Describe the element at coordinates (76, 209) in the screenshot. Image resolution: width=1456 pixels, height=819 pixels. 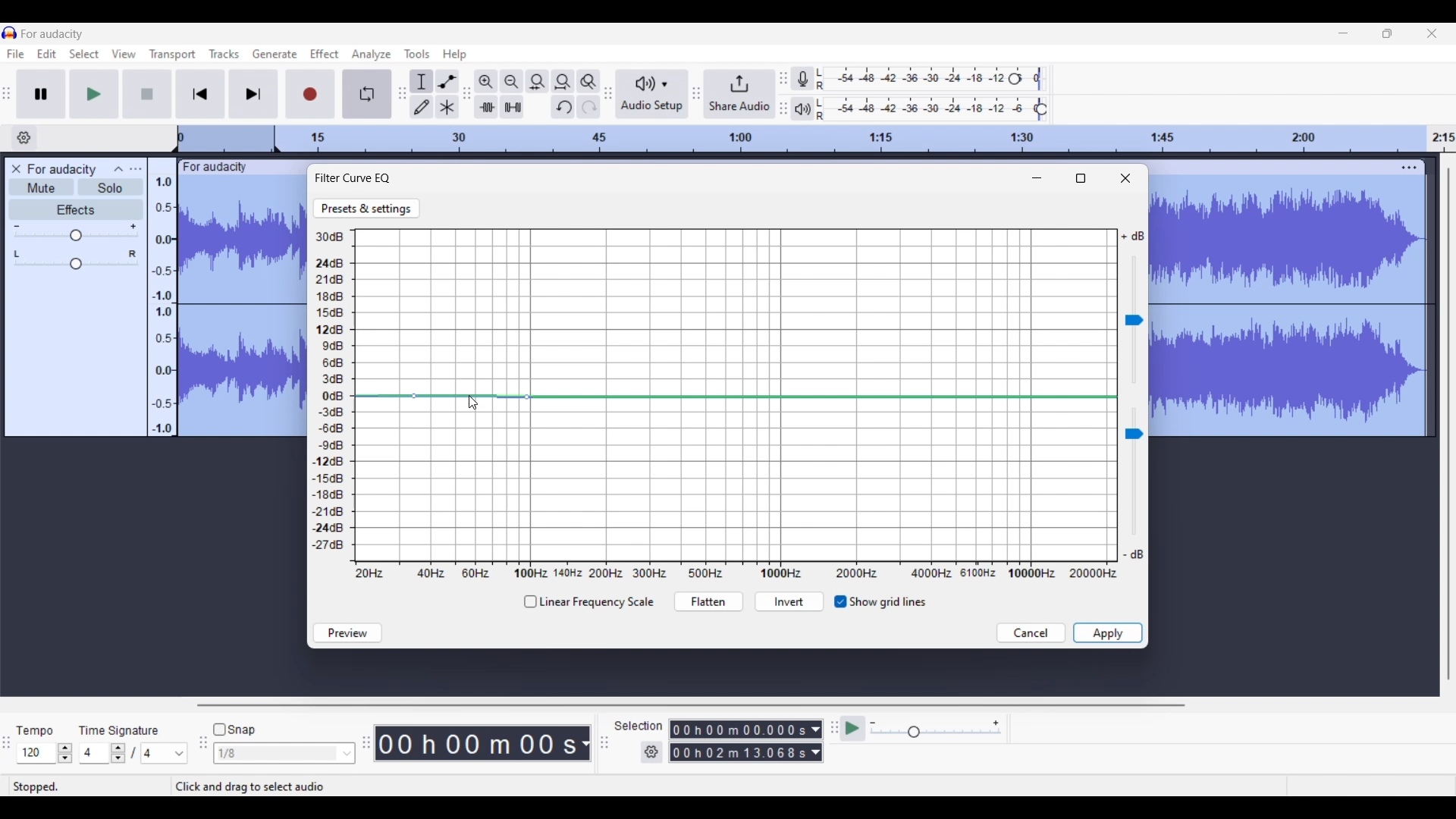
I see `Effects` at that location.